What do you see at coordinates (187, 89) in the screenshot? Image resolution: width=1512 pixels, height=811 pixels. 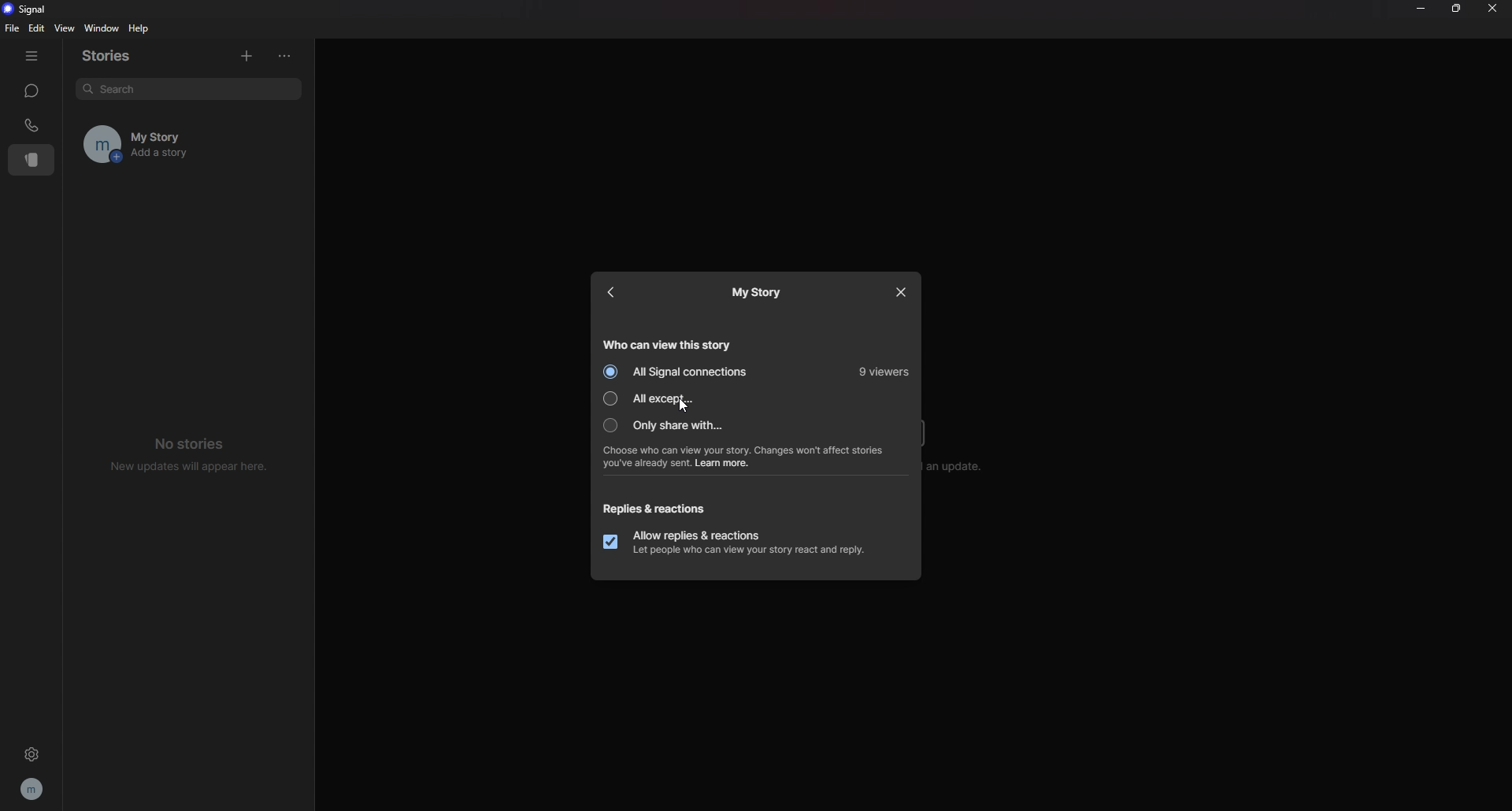 I see `search` at bounding box center [187, 89].